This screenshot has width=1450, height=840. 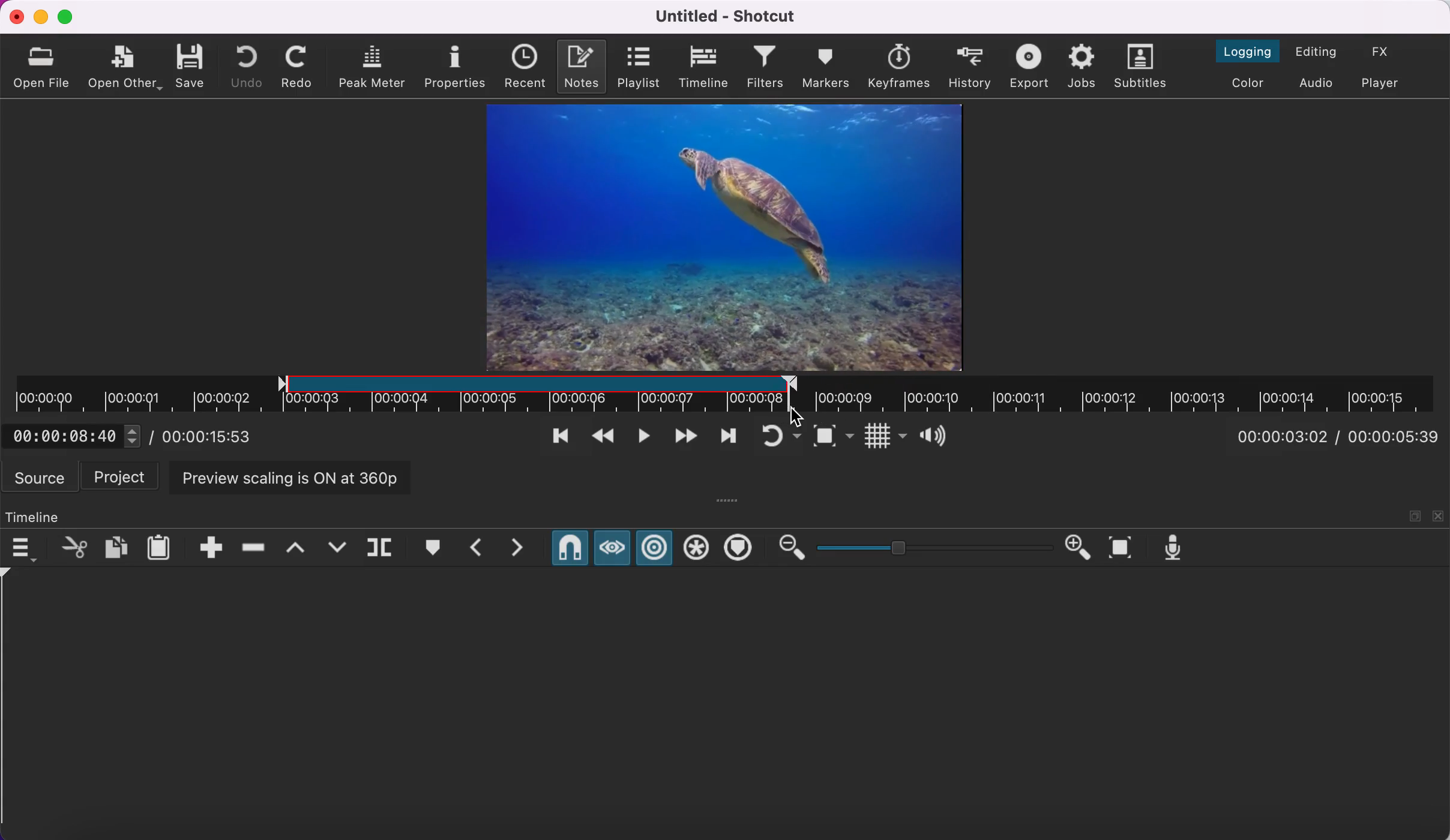 What do you see at coordinates (140, 393) in the screenshot?
I see `unclipped region of timeline` at bounding box center [140, 393].